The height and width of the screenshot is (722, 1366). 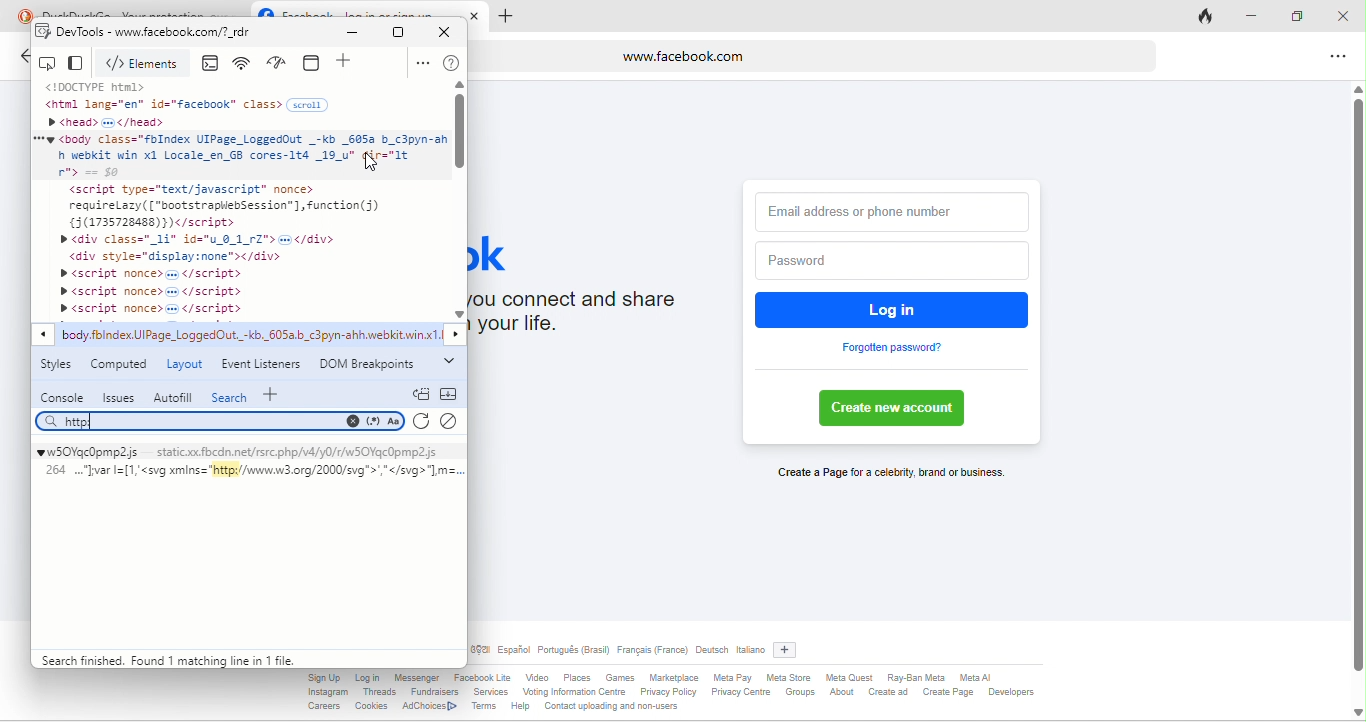 I want to click on dom breakpoints, so click(x=368, y=367).